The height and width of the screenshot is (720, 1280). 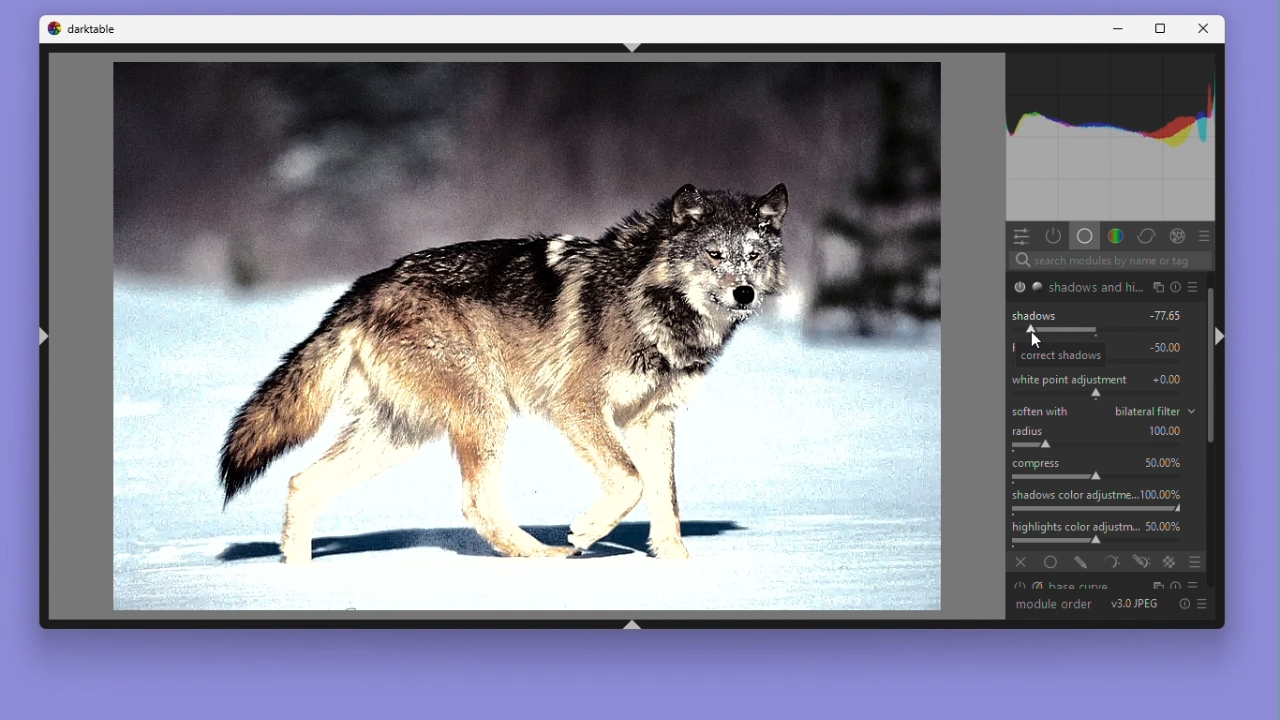 What do you see at coordinates (1168, 379) in the screenshot?
I see `+0.00` at bounding box center [1168, 379].